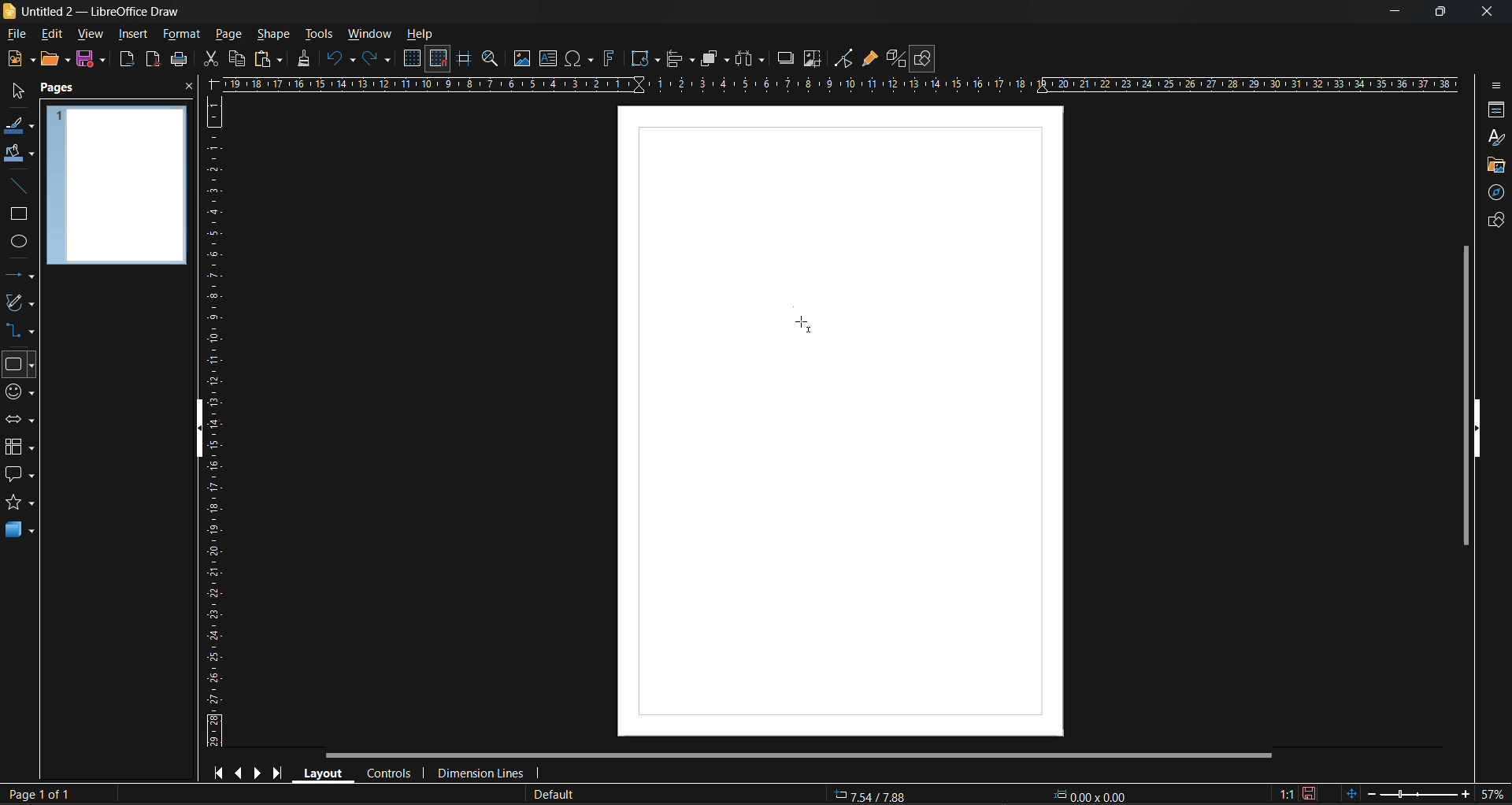 The width and height of the screenshot is (1512, 805). What do you see at coordinates (16, 215) in the screenshot?
I see `rectangle` at bounding box center [16, 215].